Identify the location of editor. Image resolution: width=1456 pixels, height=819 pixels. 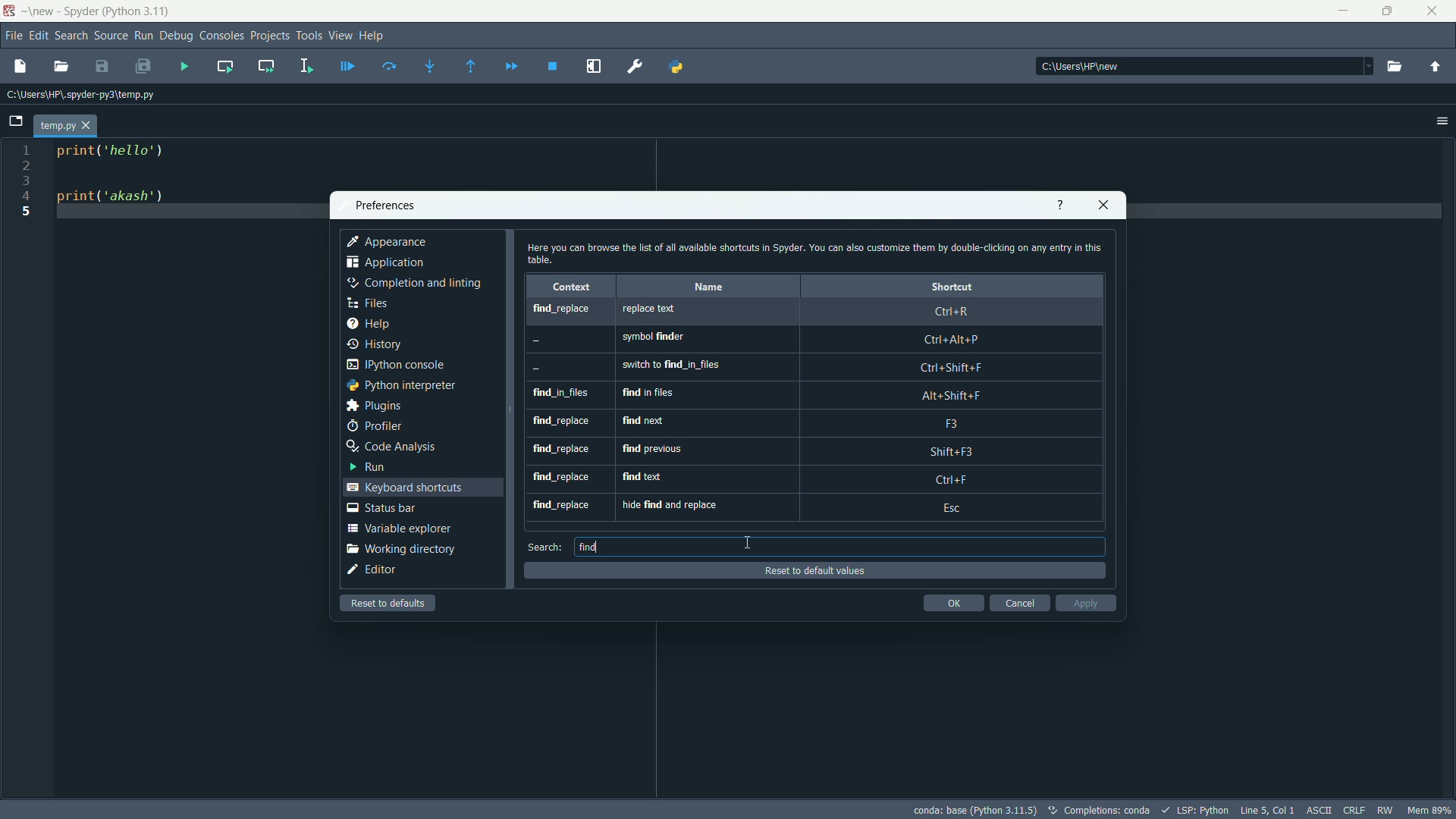
(373, 571).